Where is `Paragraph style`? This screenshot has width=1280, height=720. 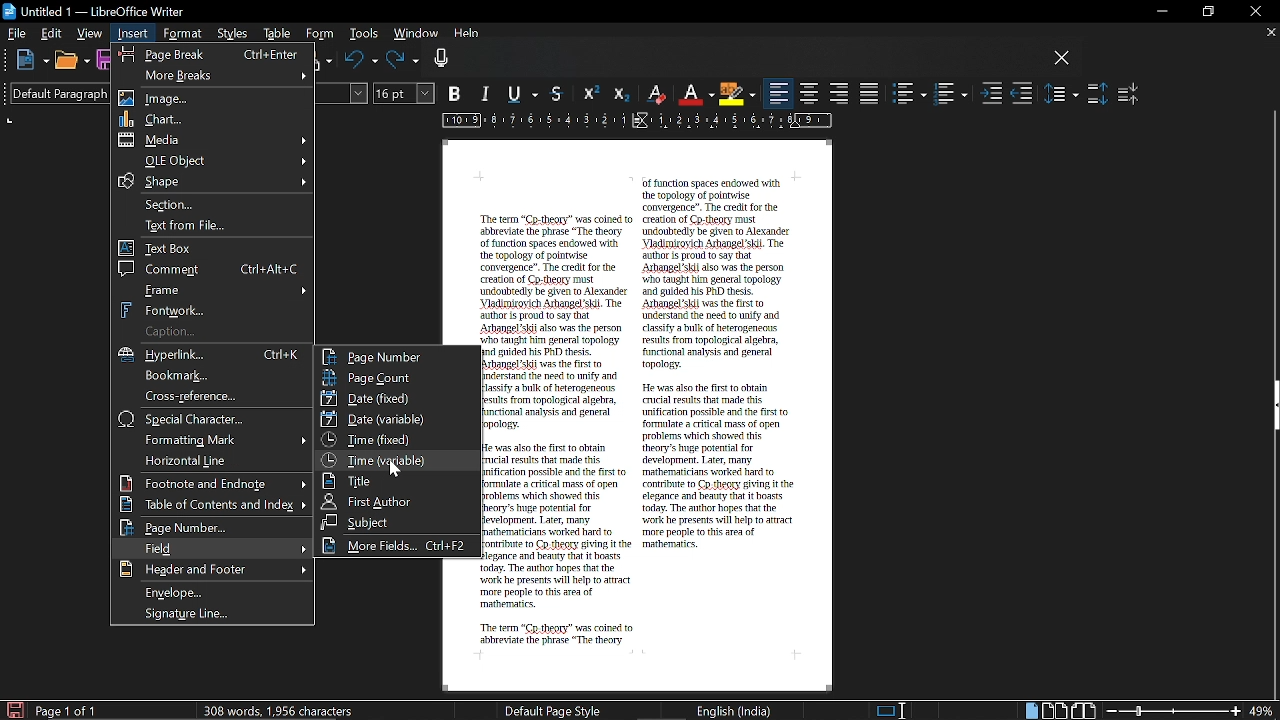 Paragraph style is located at coordinates (53, 93).